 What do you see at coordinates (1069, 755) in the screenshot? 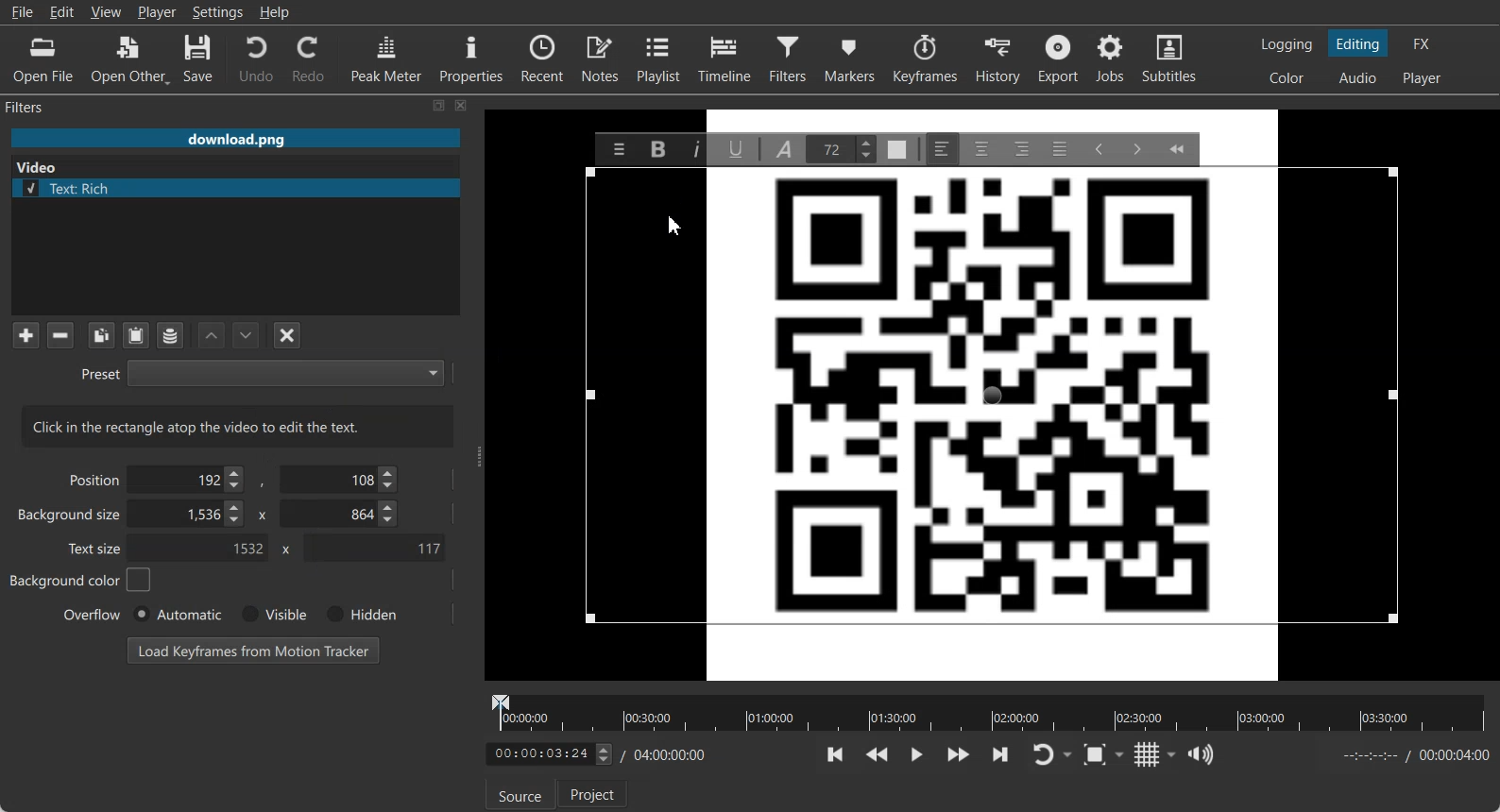
I see `Drop down box` at bounding box center [1069, 755].